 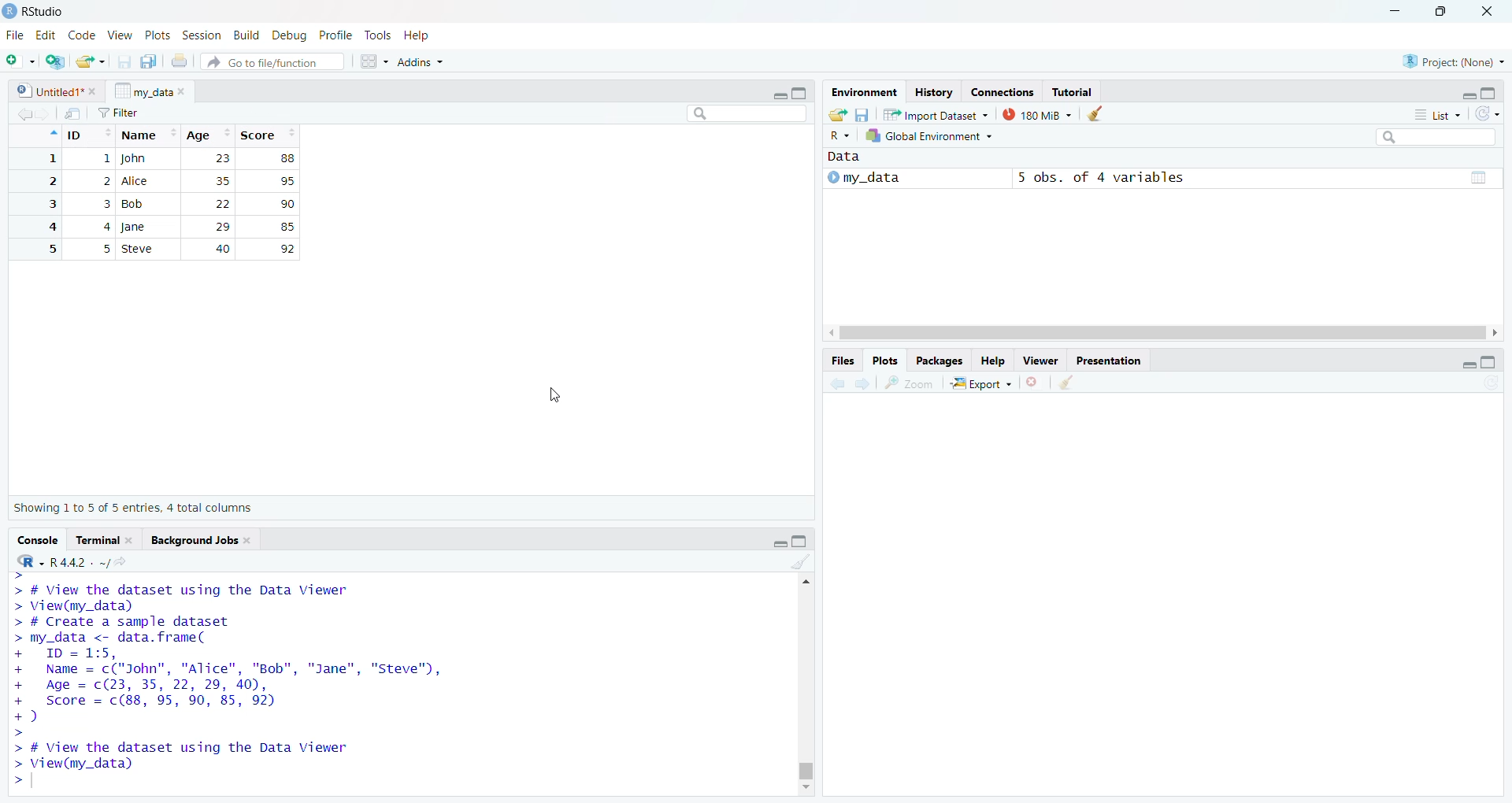 I want to click on my_data, so click(x=147, y=90).